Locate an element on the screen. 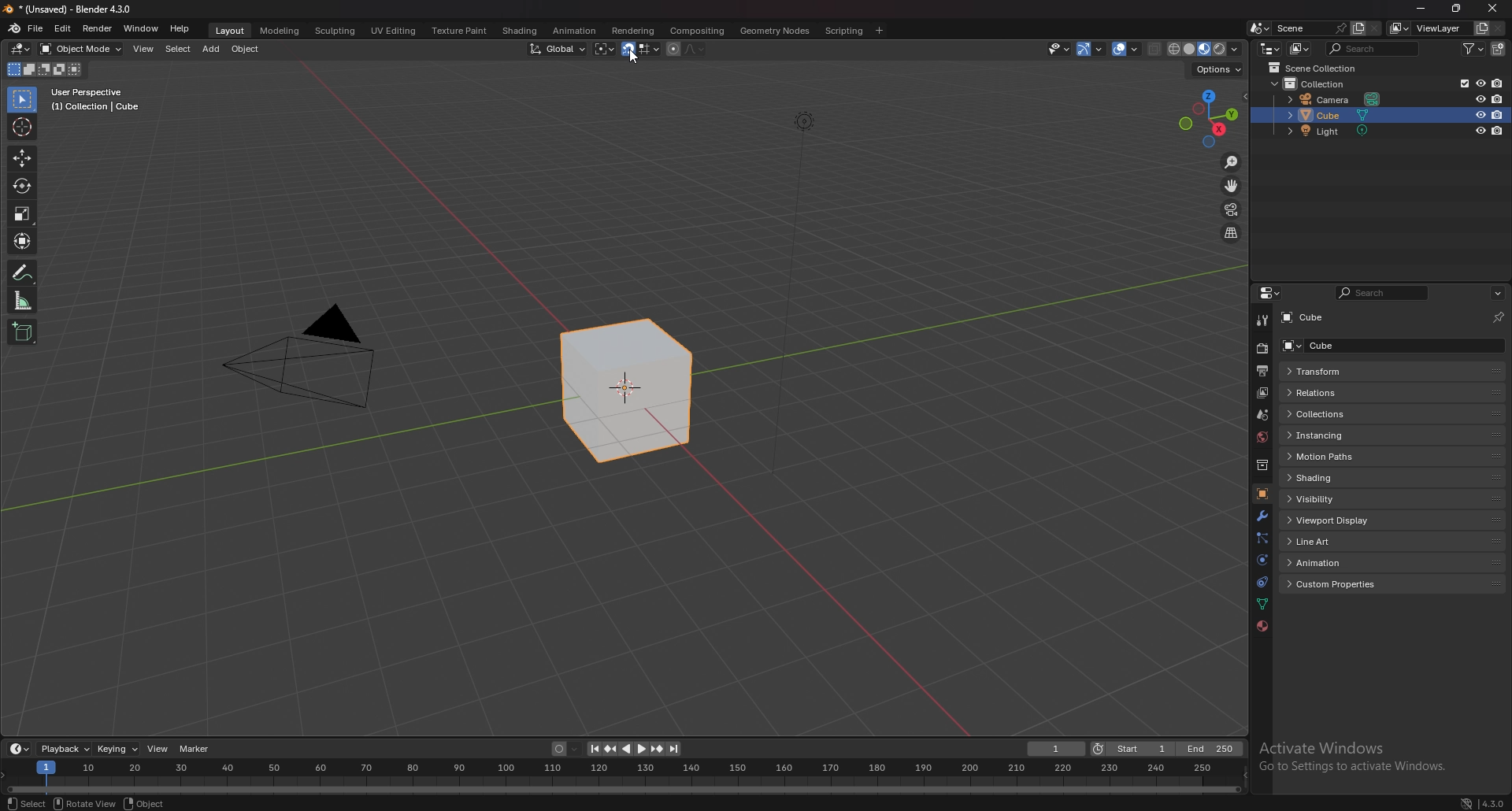 Image resolution: width=1512 pixels, height=811 pixels. view is located at coordinates (143, 50).